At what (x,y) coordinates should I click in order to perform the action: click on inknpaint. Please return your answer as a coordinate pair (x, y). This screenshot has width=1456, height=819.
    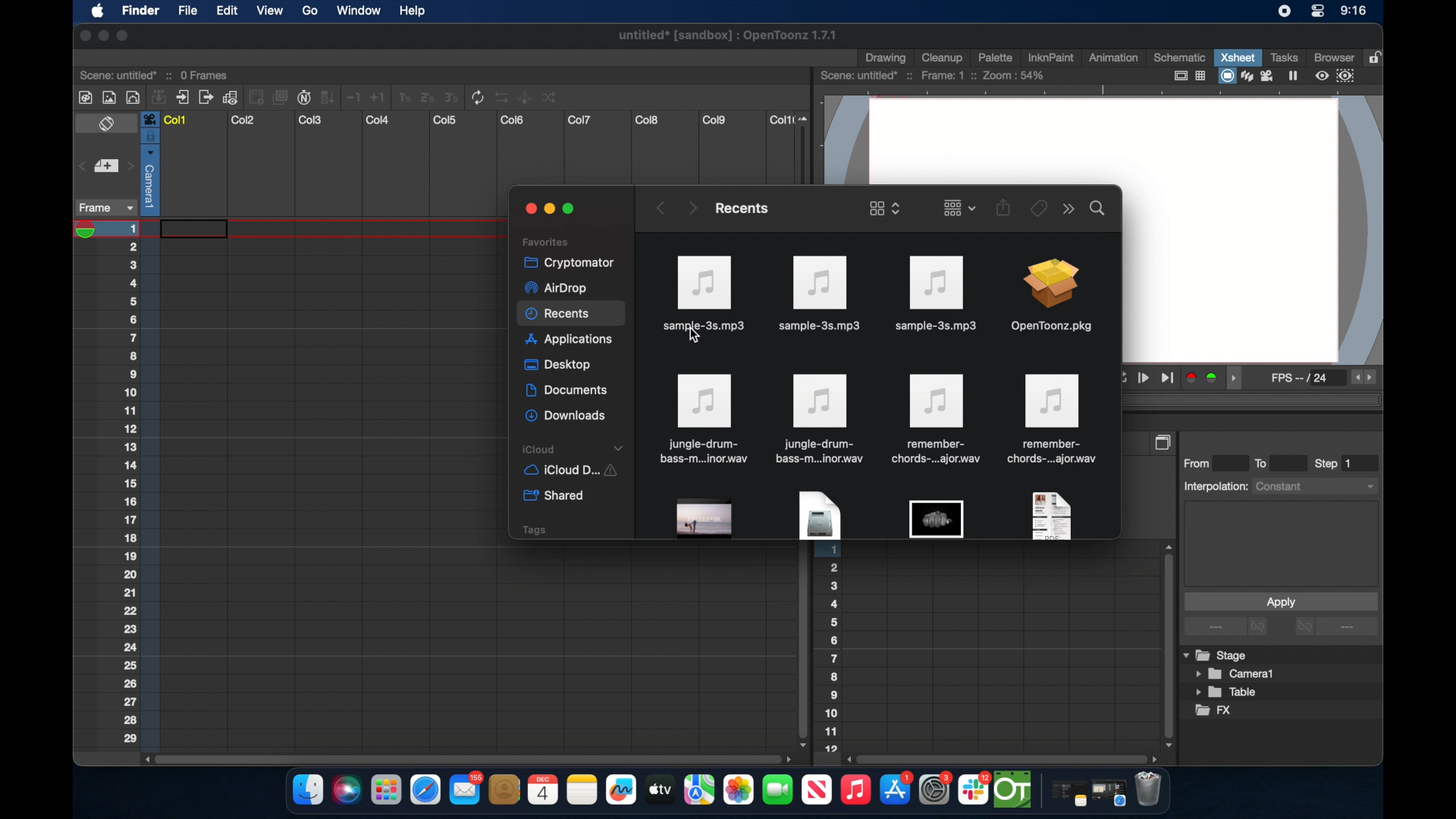
    Looking at the image, I should click on (1050, 57).